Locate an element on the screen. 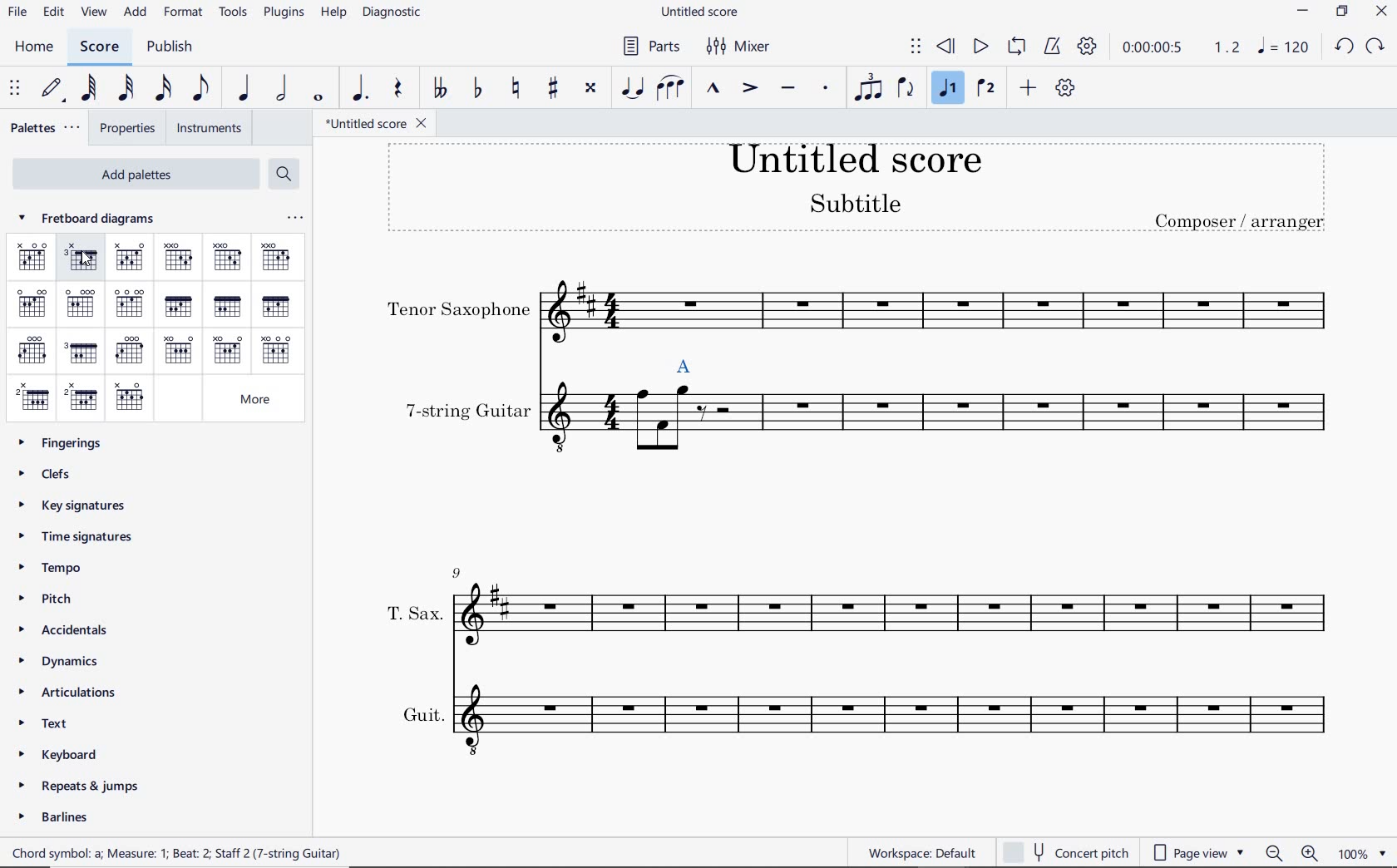  MORE is located at coordinates (258, 401).